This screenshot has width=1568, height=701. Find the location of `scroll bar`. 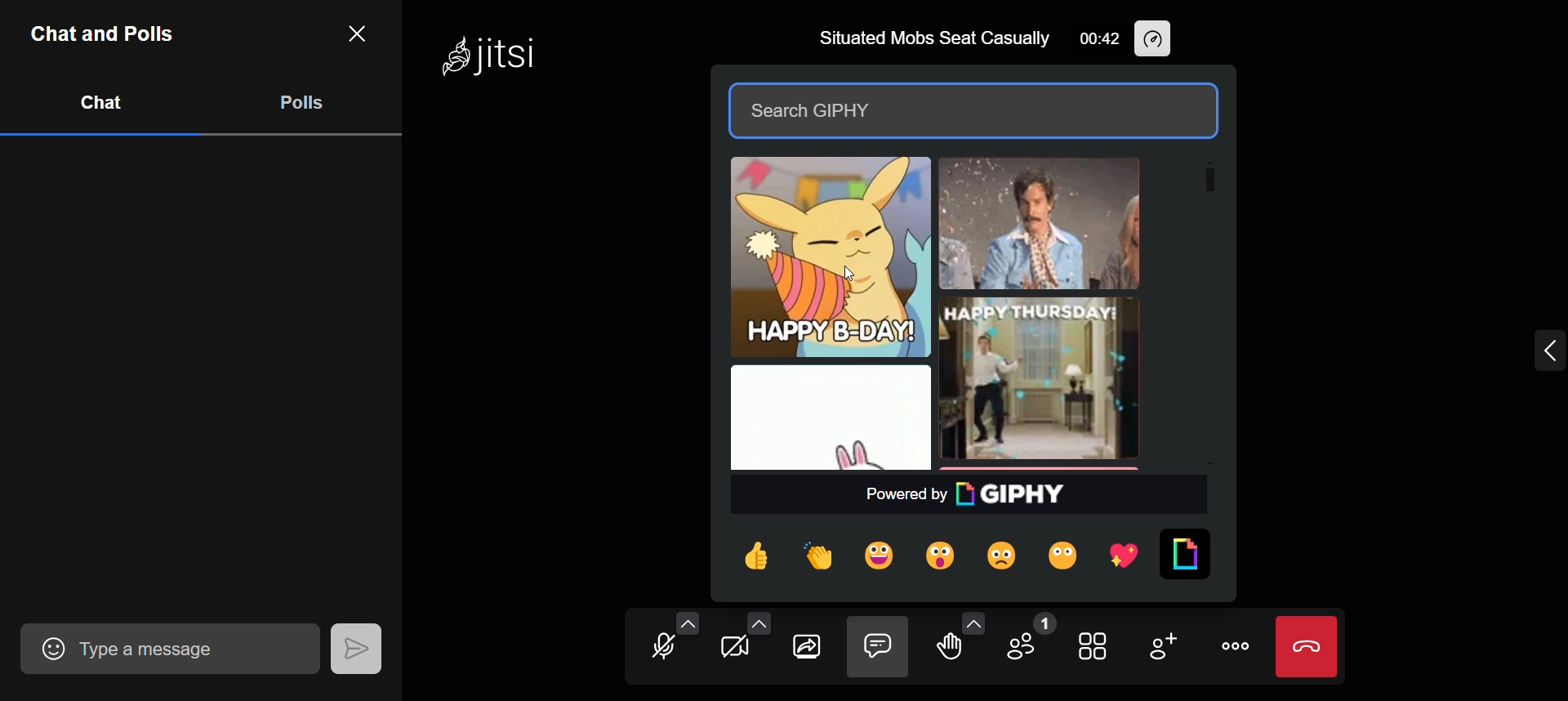

scroll bar is located at coordinates (1209, 175).